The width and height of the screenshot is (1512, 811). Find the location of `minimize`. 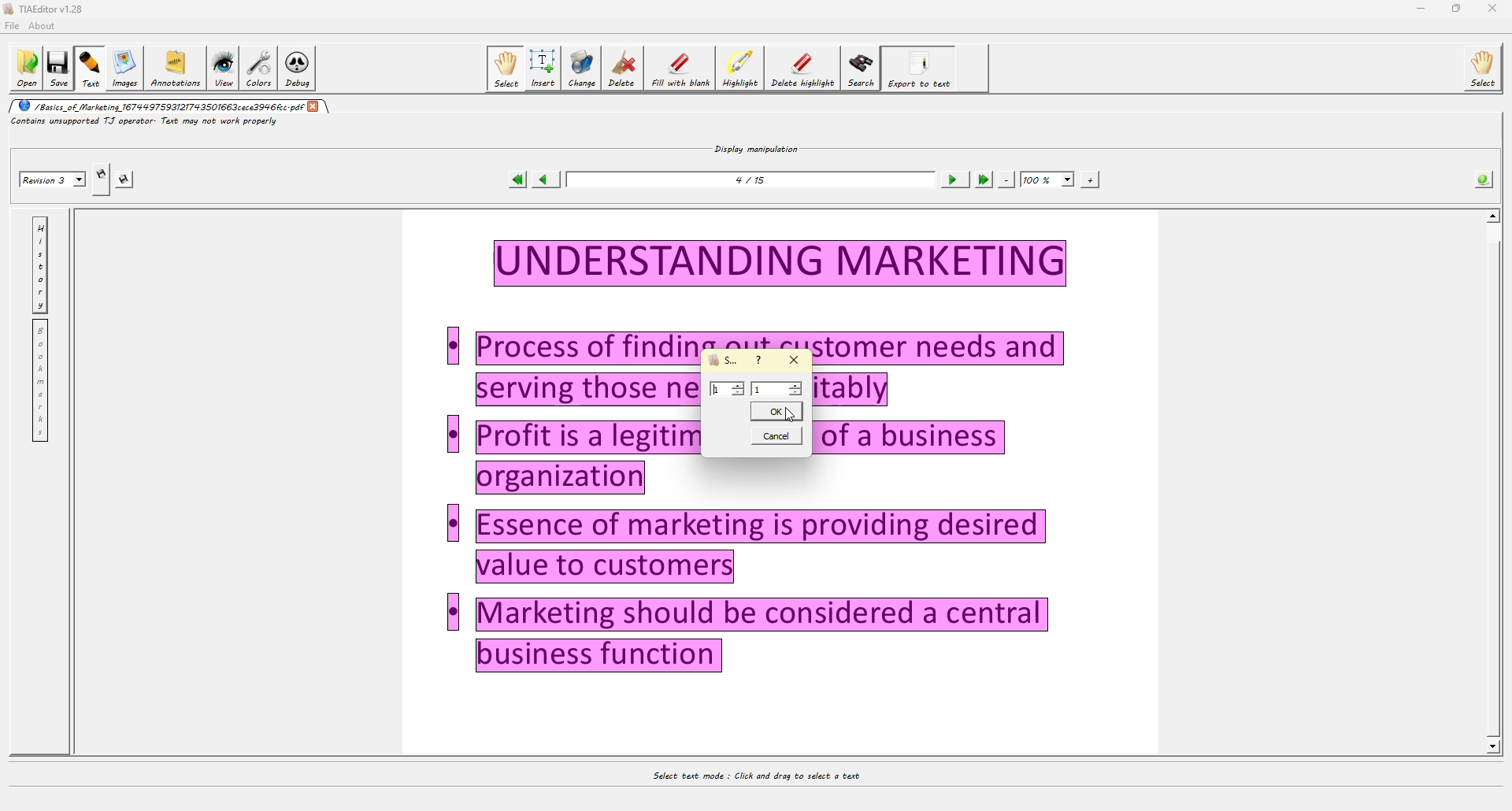

minimize is located at coordinates (1417, 8).